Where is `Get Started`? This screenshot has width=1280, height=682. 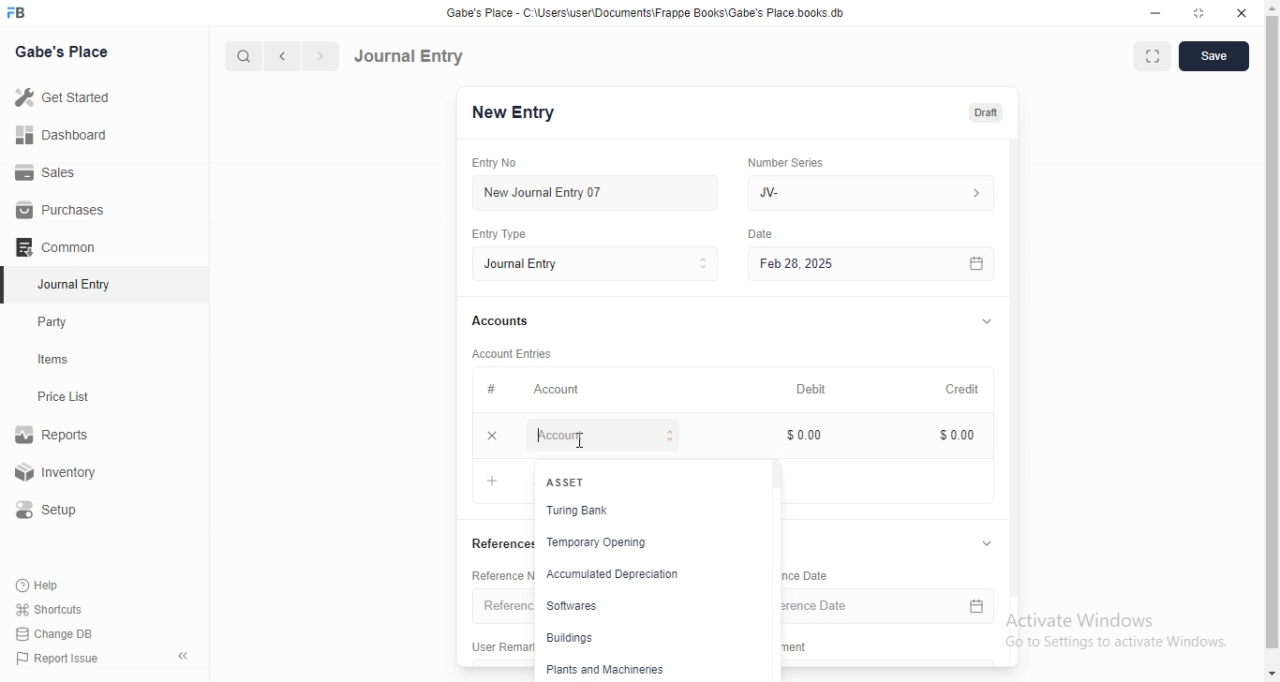
Get Started is located at coordinates (61, 99).